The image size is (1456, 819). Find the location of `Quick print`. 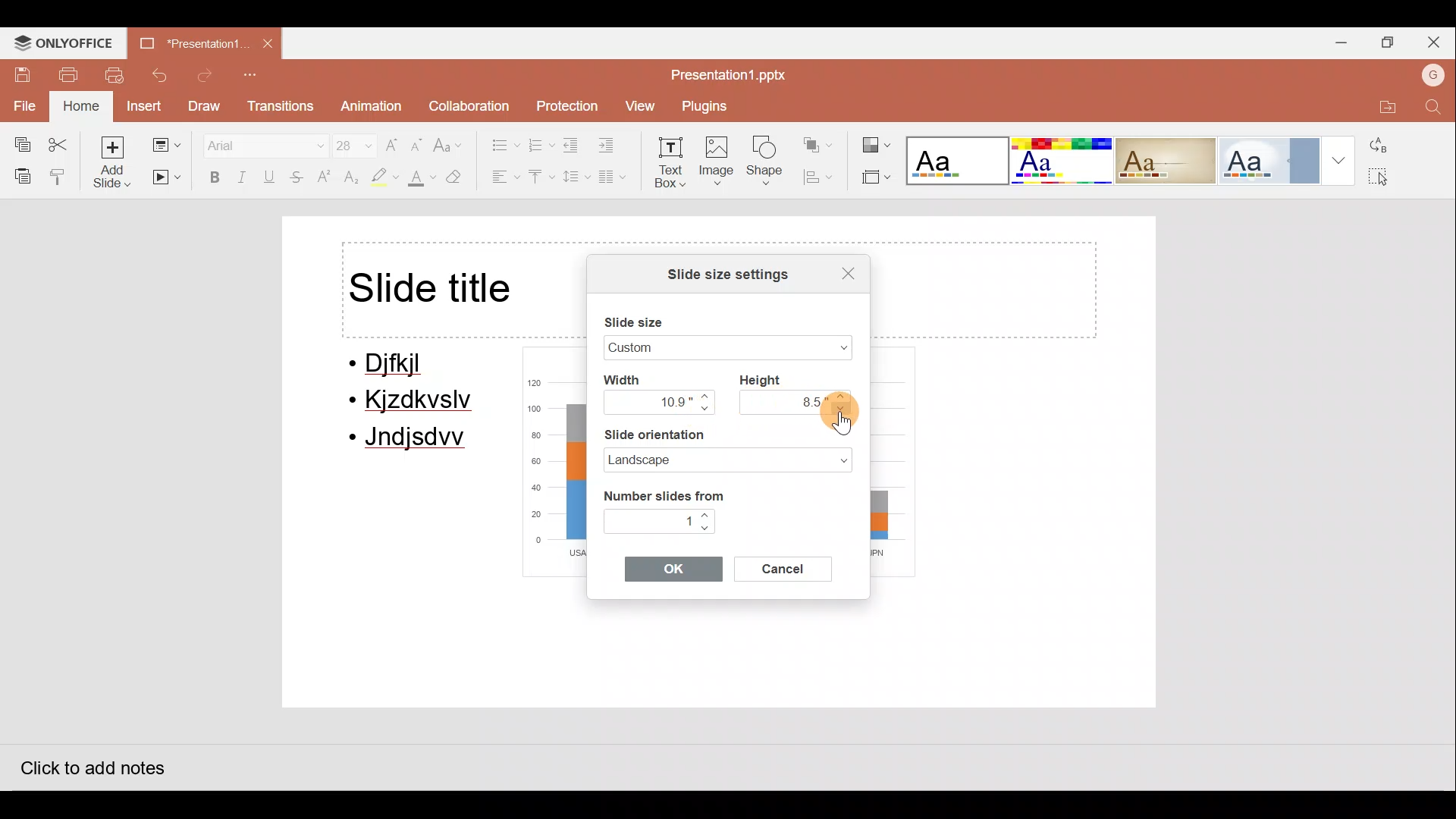

Quick print is located at coordinates (118, 76).